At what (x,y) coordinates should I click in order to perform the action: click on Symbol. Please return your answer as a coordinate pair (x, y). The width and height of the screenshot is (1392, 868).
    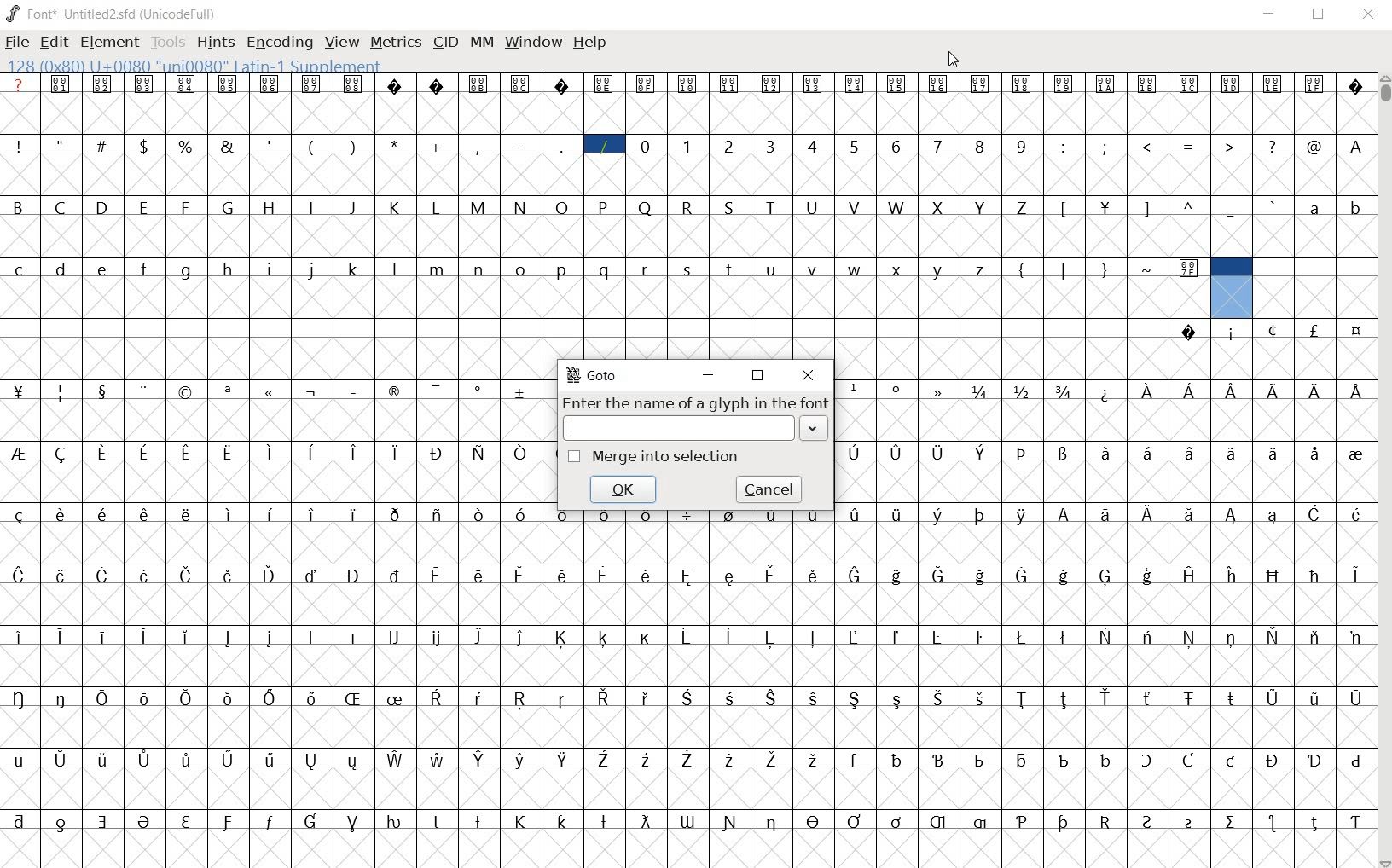
    Looking at the image, I should click on (1314, 758).